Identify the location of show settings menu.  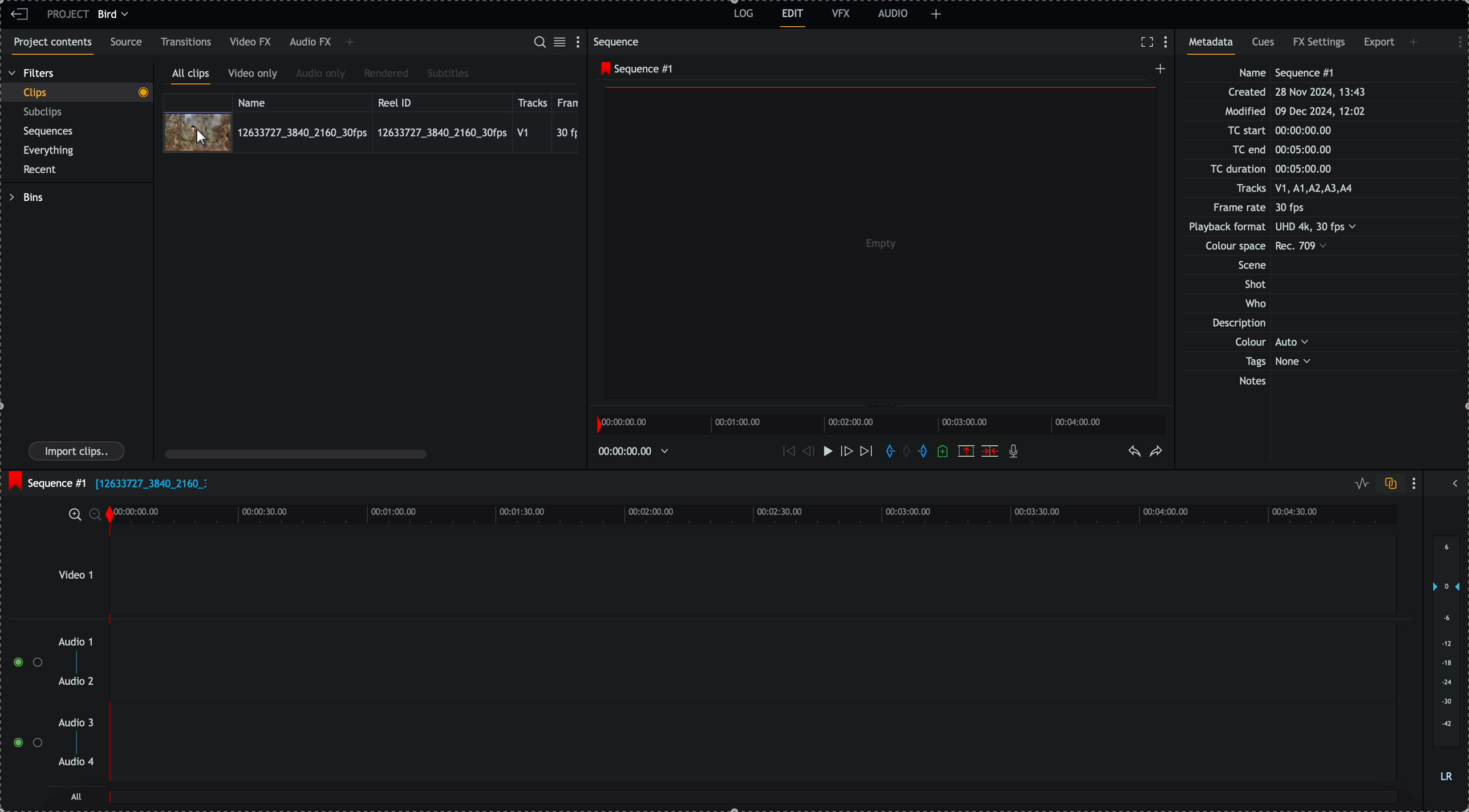
(581, 41).